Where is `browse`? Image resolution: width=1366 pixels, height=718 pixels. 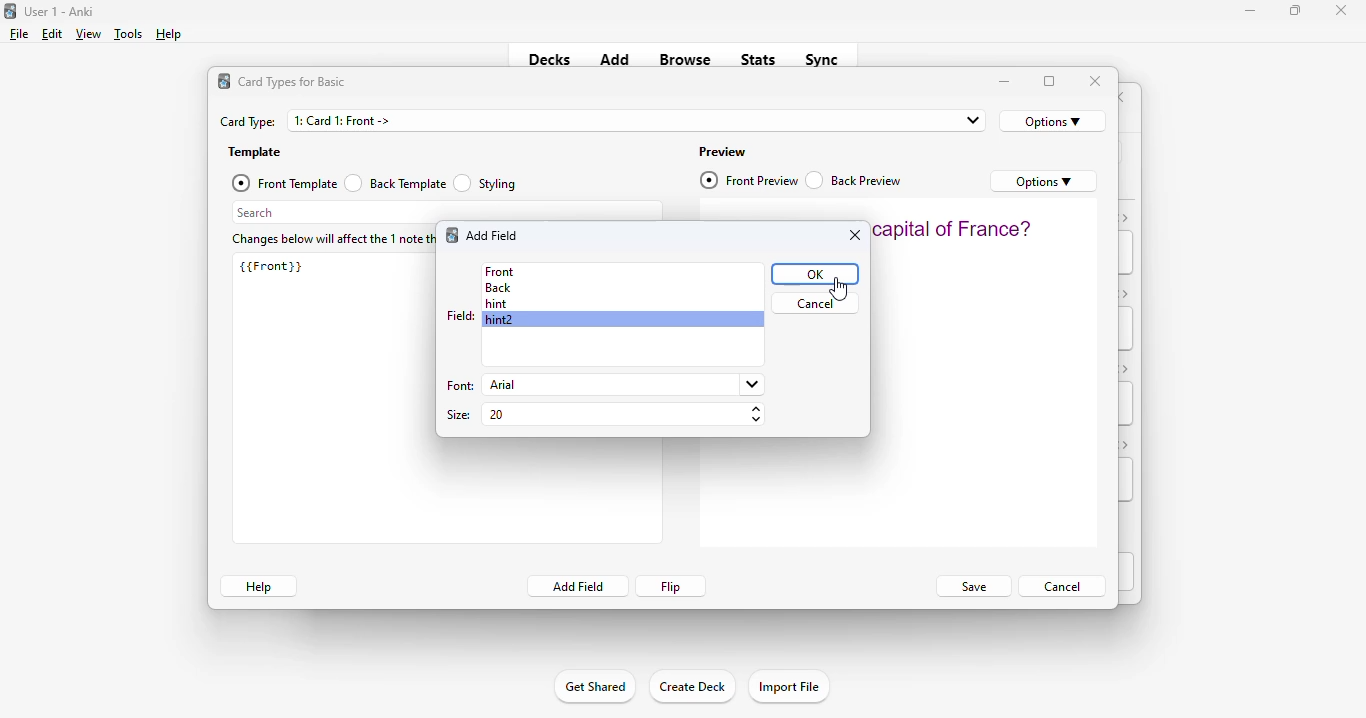 browse is located at coordinates (685, 59).